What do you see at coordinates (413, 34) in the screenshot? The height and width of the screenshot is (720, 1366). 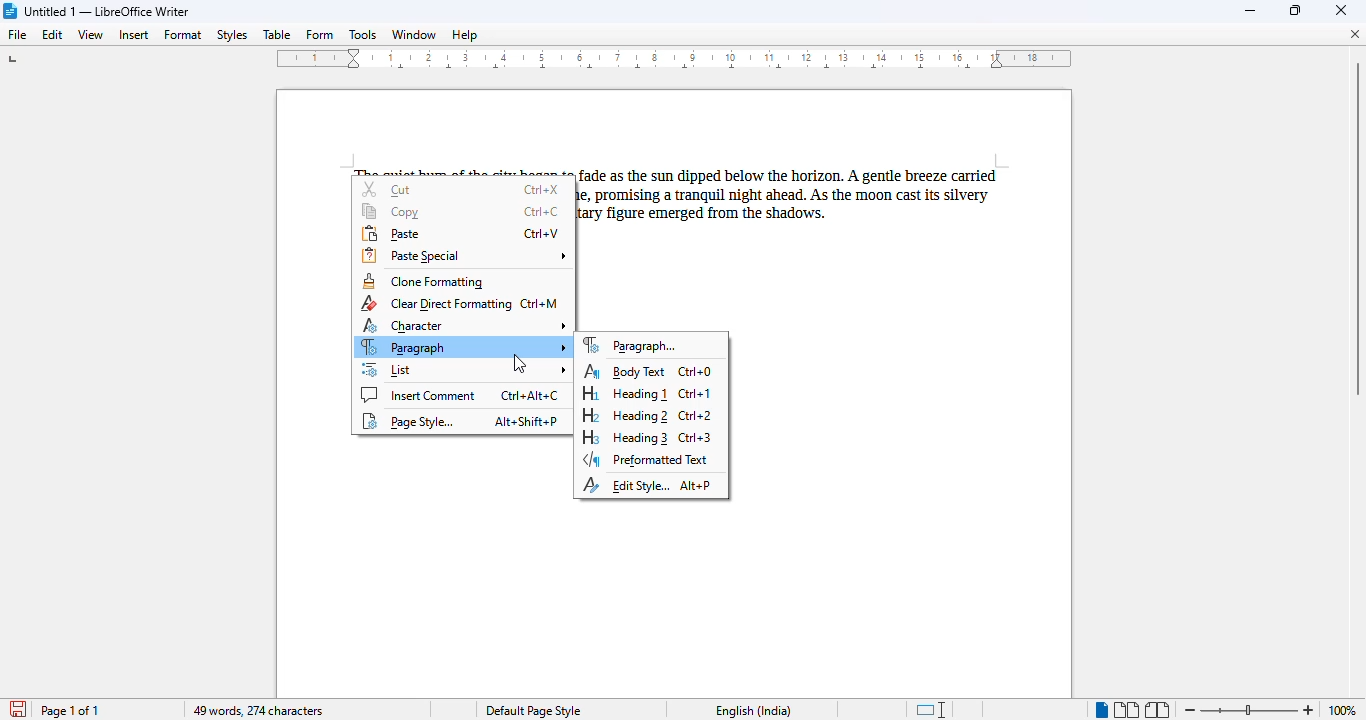 I see `window` at bounding box center [413, 34].